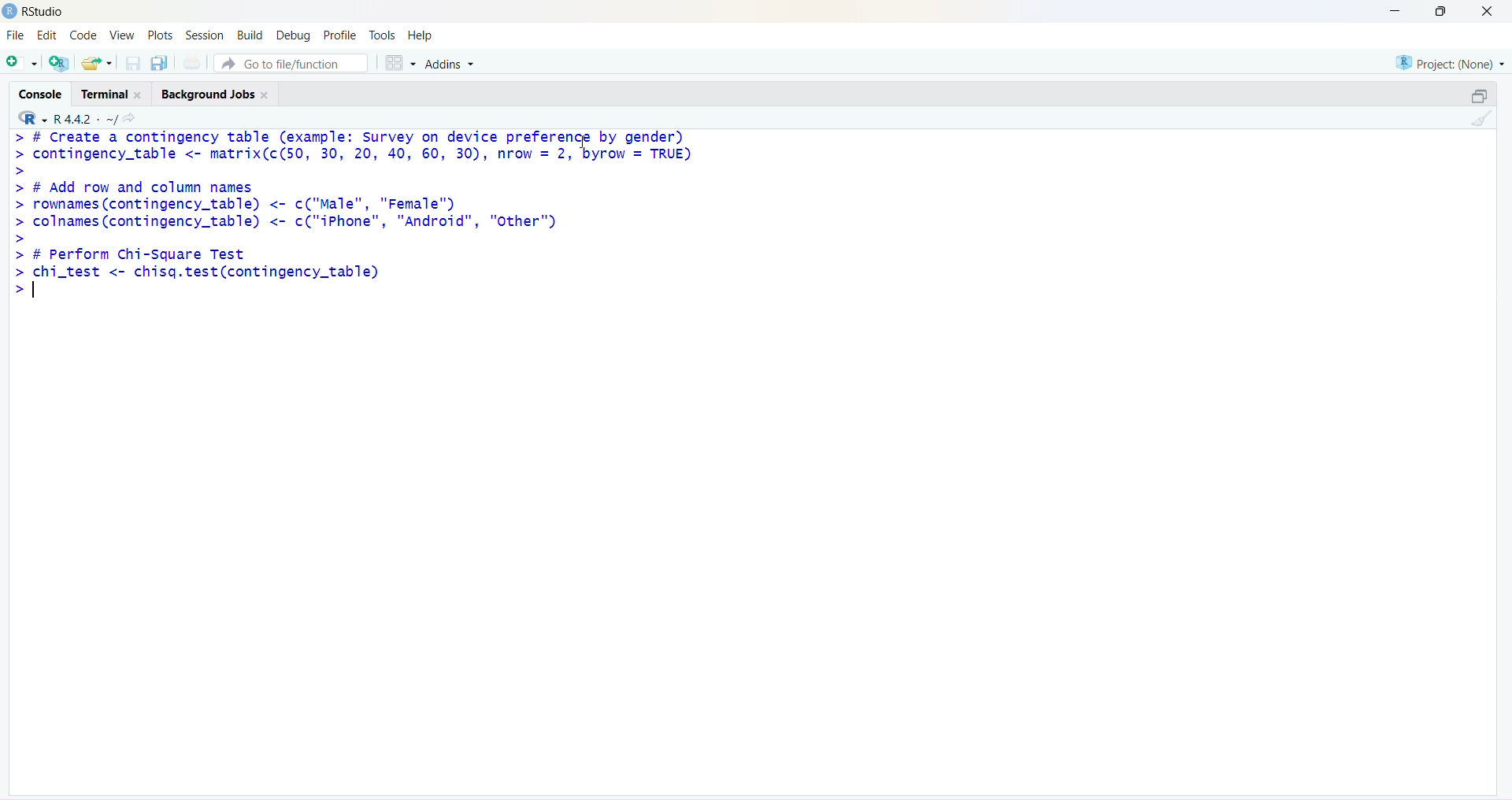 The width and height of the screenshot is (1512, 800). I want to click on project (none), so click(1450, 64).